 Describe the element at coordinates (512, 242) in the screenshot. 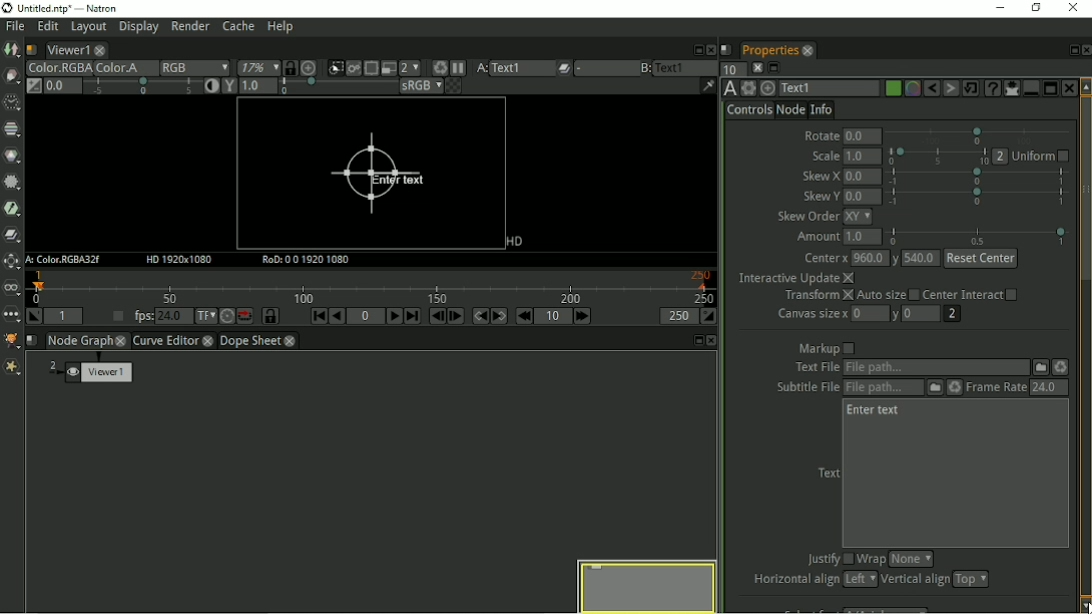

I see `HD` at that location.